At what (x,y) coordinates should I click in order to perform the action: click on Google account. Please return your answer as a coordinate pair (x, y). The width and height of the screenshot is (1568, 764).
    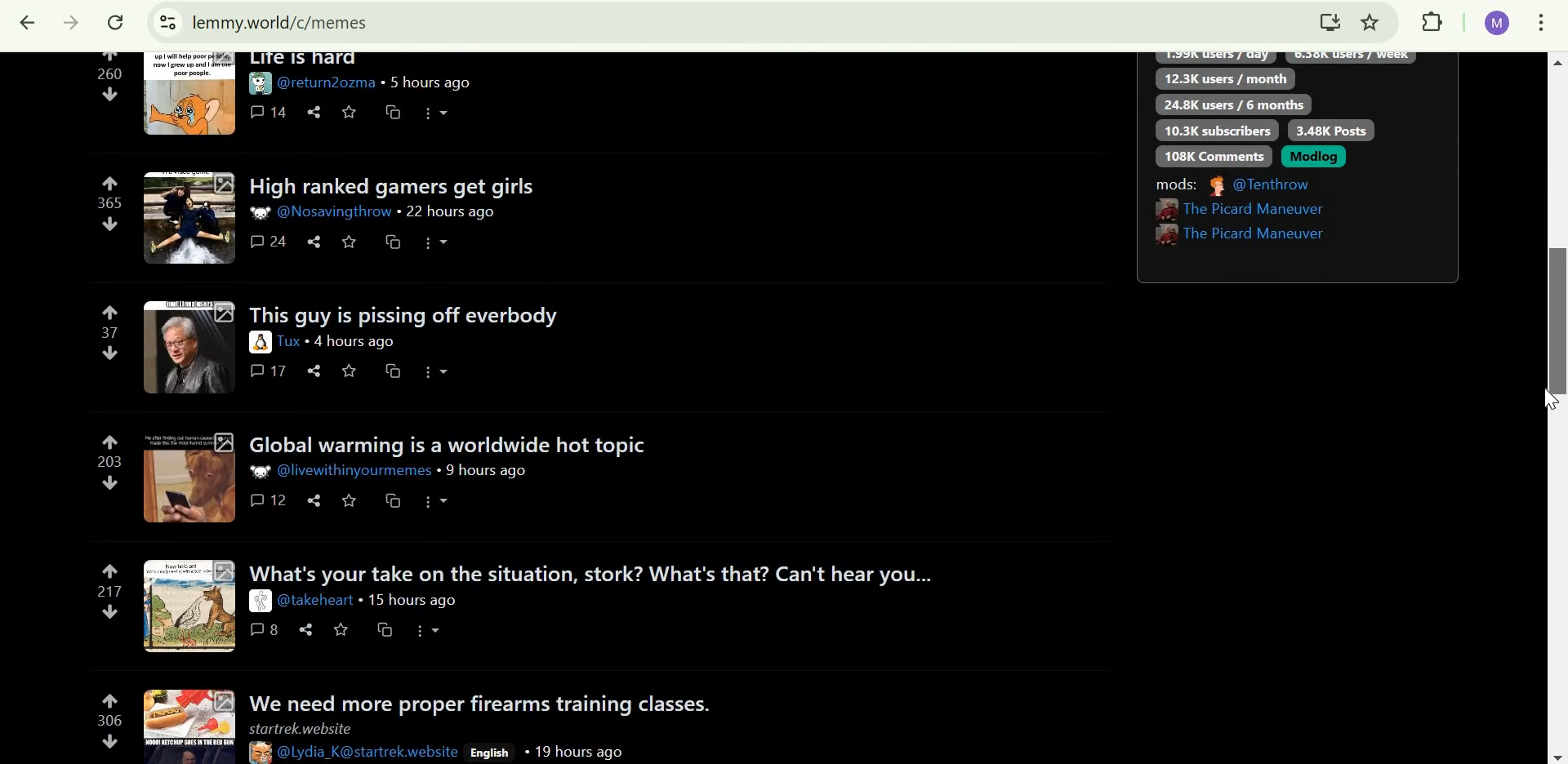
    Looking at the image, I should click on (1496, 24).